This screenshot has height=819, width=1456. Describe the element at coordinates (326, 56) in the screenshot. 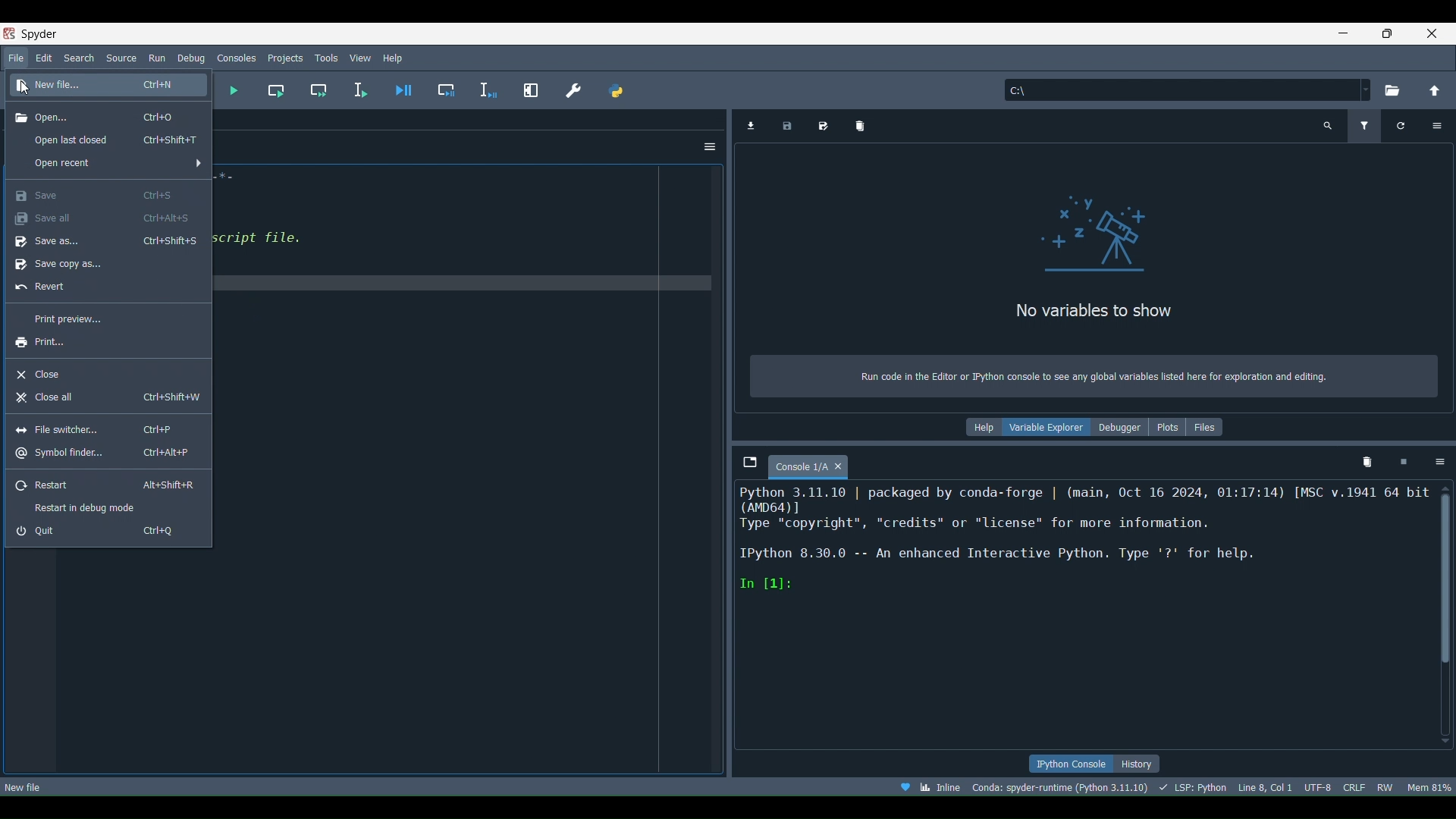

I see `Tools` at that location.